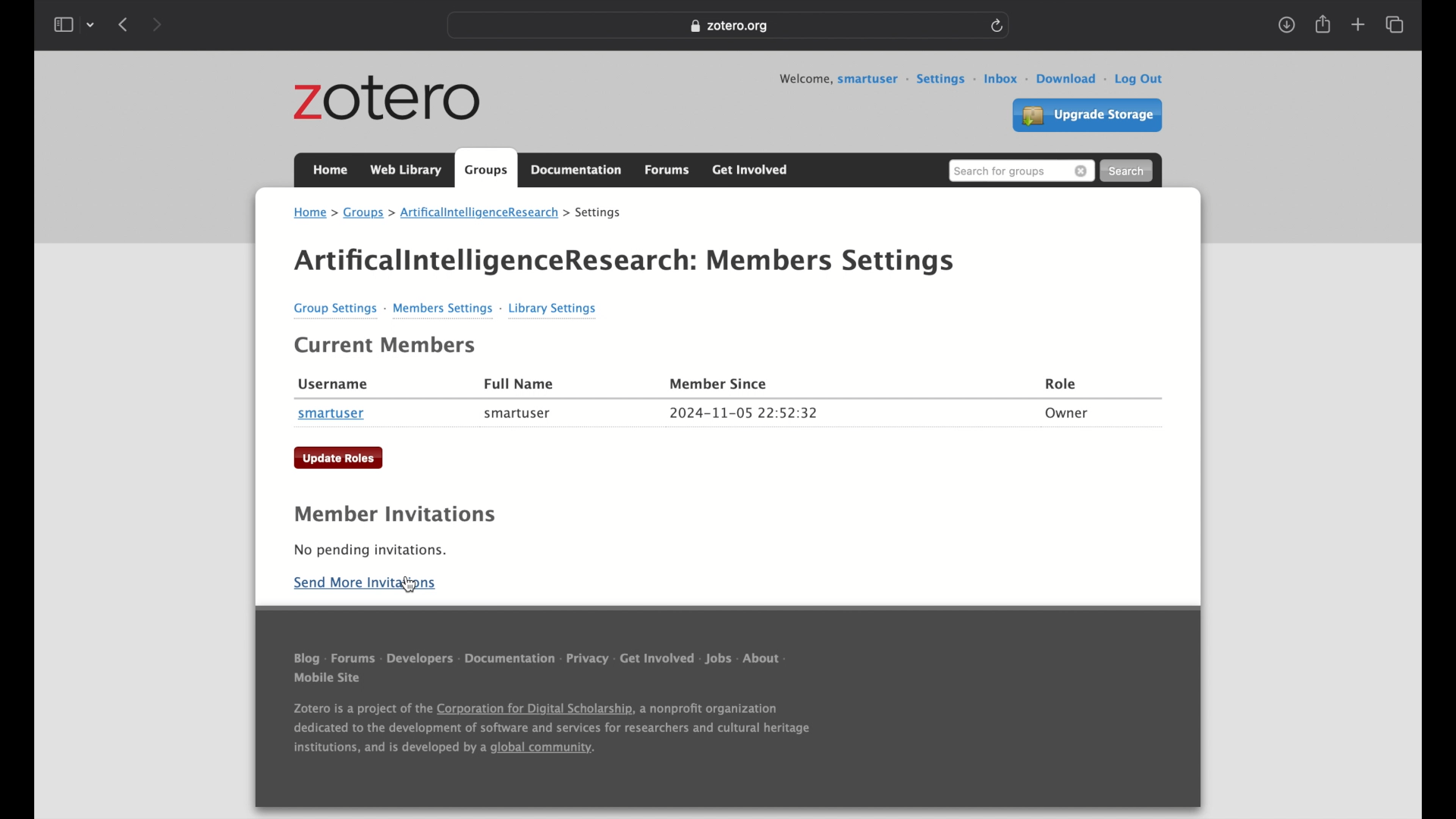  Describe the element at coordinates (1087, 115) in the screenshot. I see `upgrade settings` at that location.